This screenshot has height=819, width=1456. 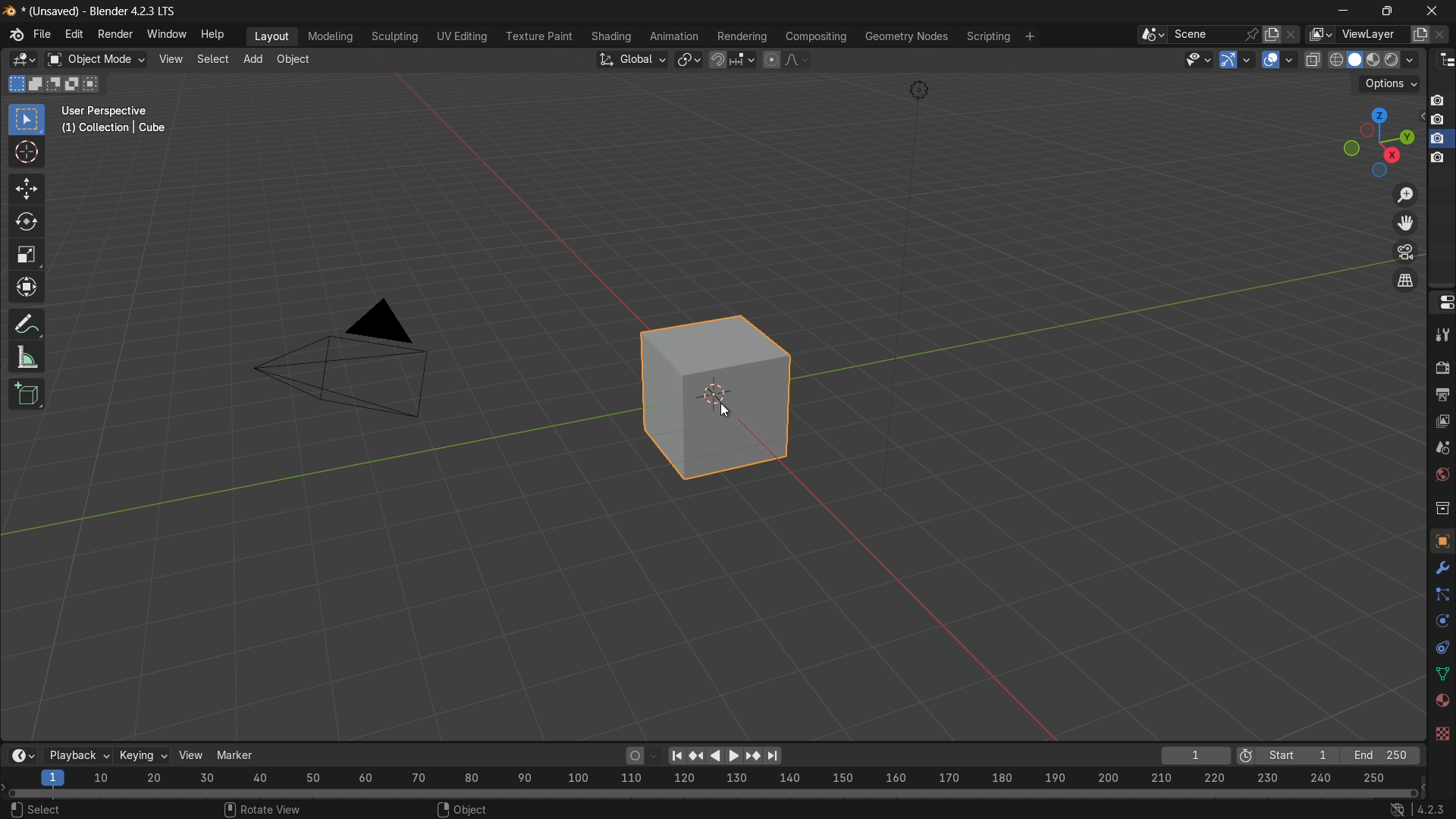 I want to click on delete scene, so click(x=1290, y=33).